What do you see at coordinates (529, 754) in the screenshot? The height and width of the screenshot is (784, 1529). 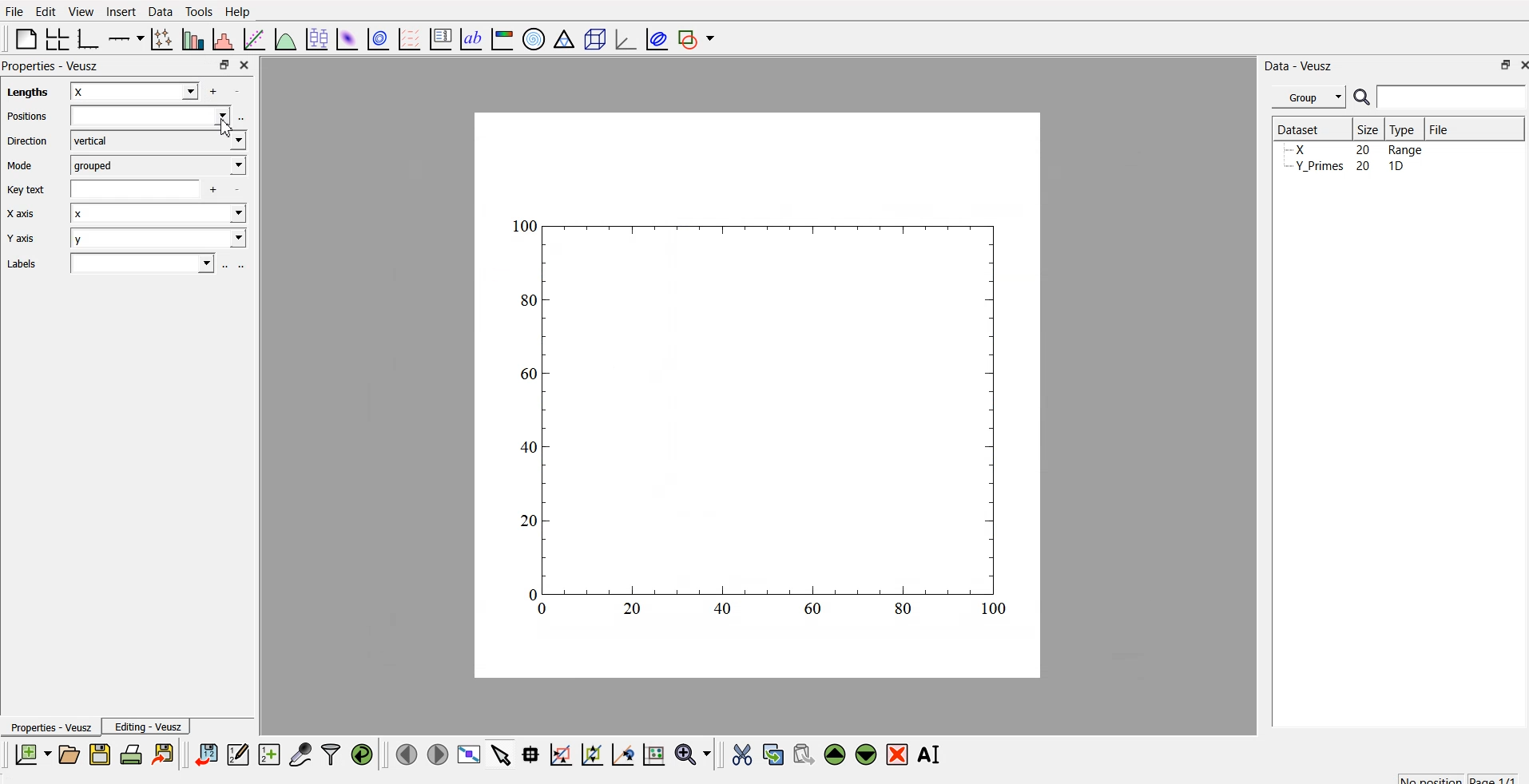 I see `read datapoint on graph` at bounding box center [529, 754].